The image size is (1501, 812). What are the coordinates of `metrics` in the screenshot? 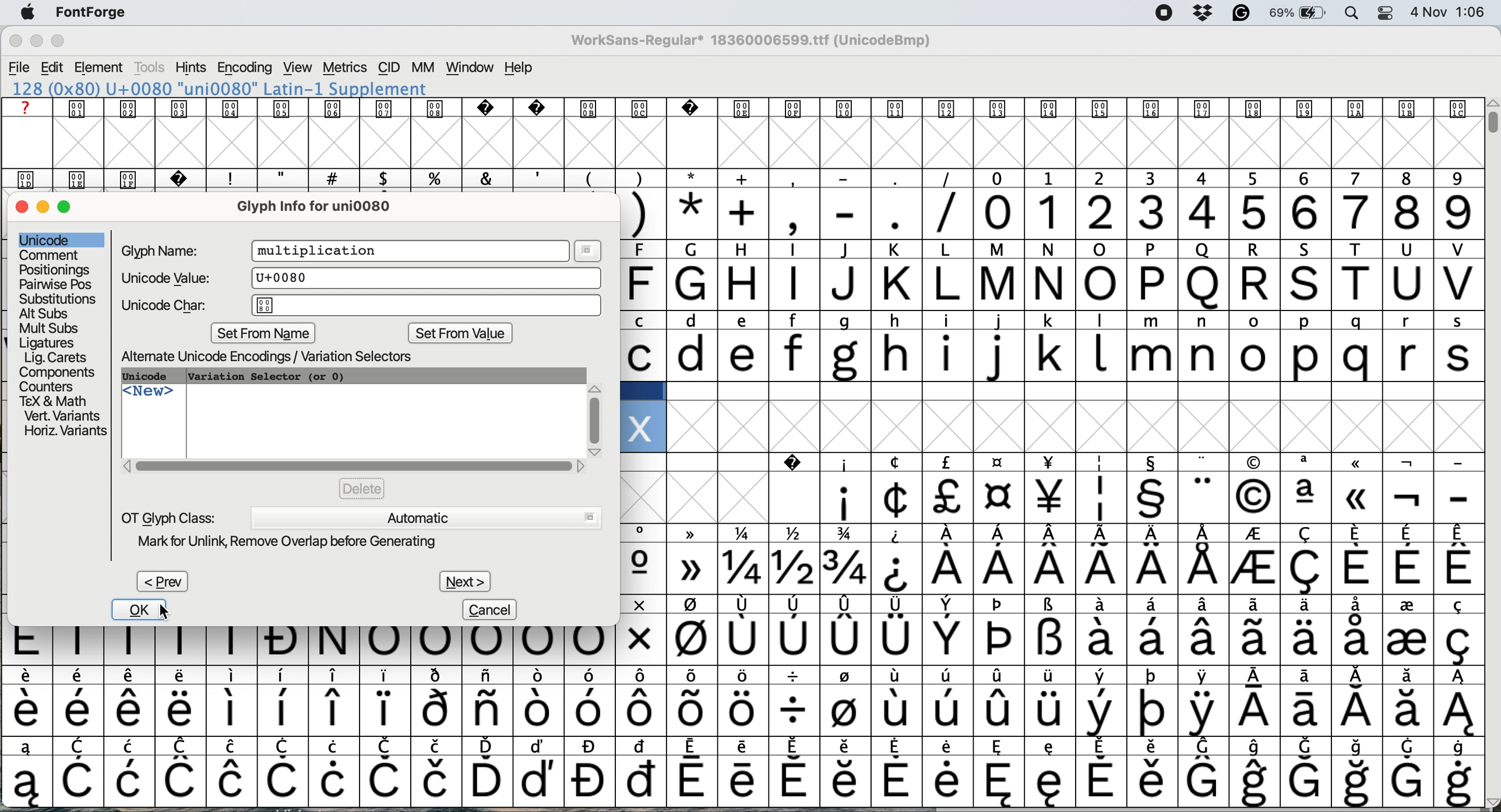 It's located at (346, 68).